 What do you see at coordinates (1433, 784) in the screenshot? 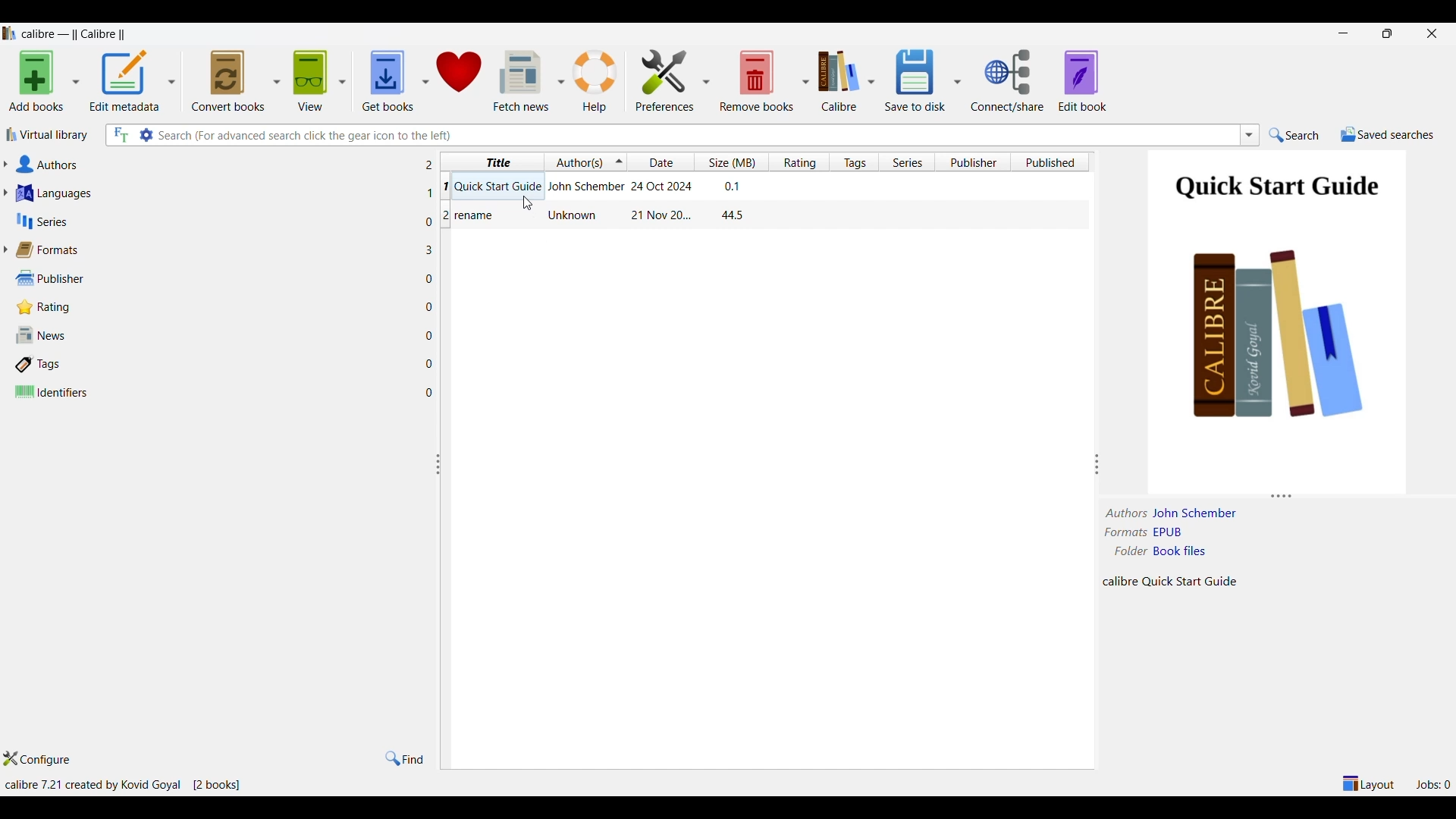
I see `Jobs` at bounding box center [1433, 784].